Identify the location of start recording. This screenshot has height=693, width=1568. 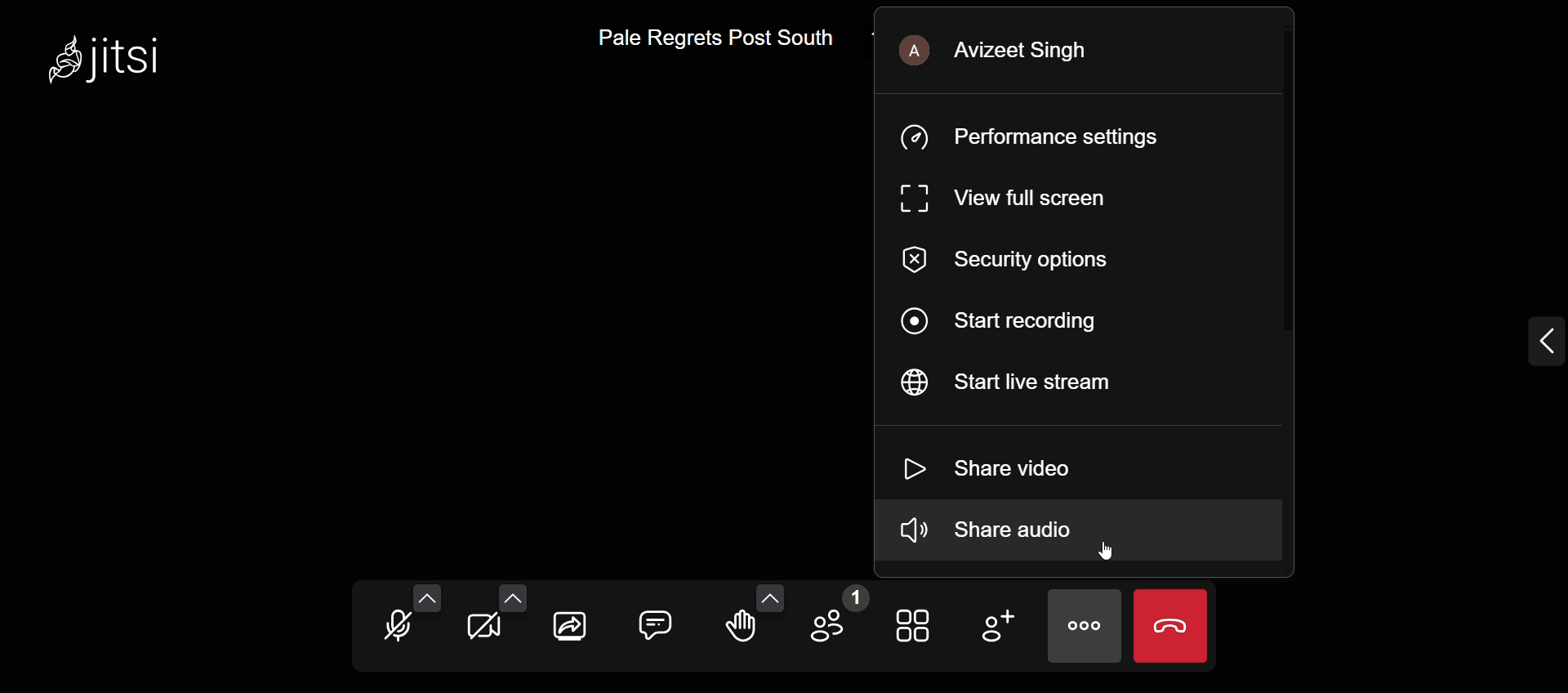
(1009, 320).